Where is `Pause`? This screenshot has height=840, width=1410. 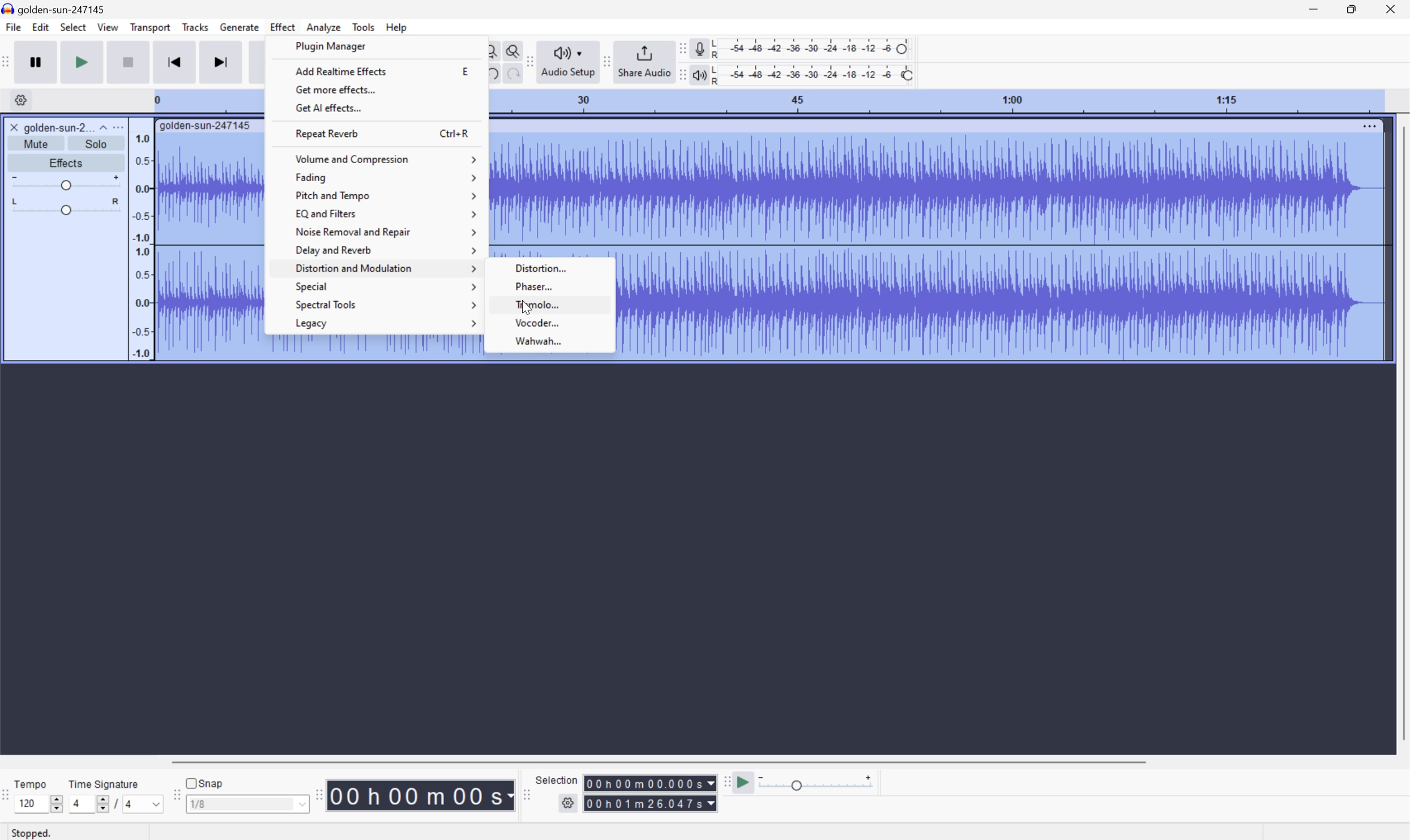
Pause is located at coordinates (38, 61).